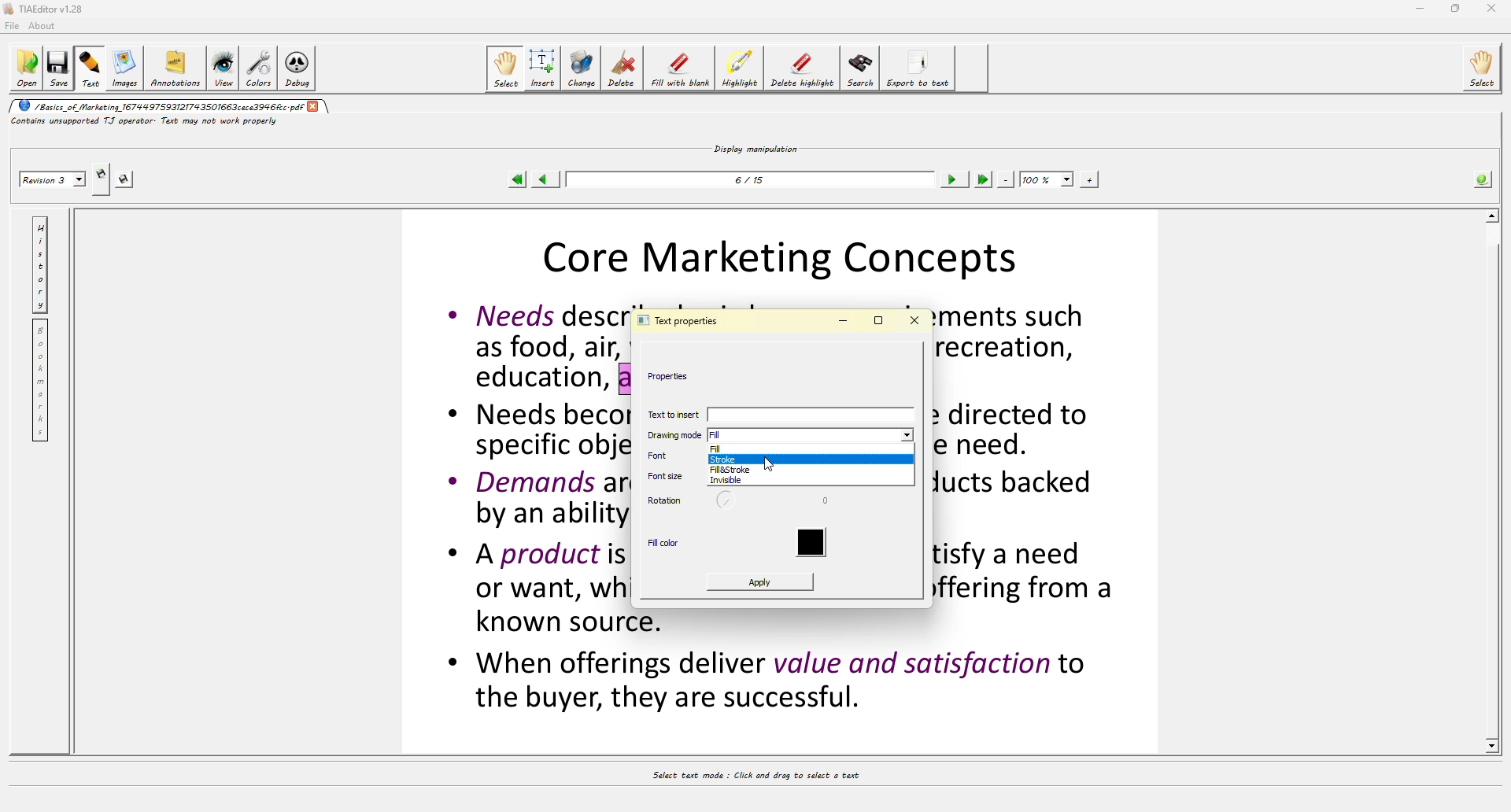 Image resolution: width=1511 pixels, height=812 pixels. I want to click on /basics_of_marketing_1674497593121743501663cece3946fcc.pdf, so click(157, 105).